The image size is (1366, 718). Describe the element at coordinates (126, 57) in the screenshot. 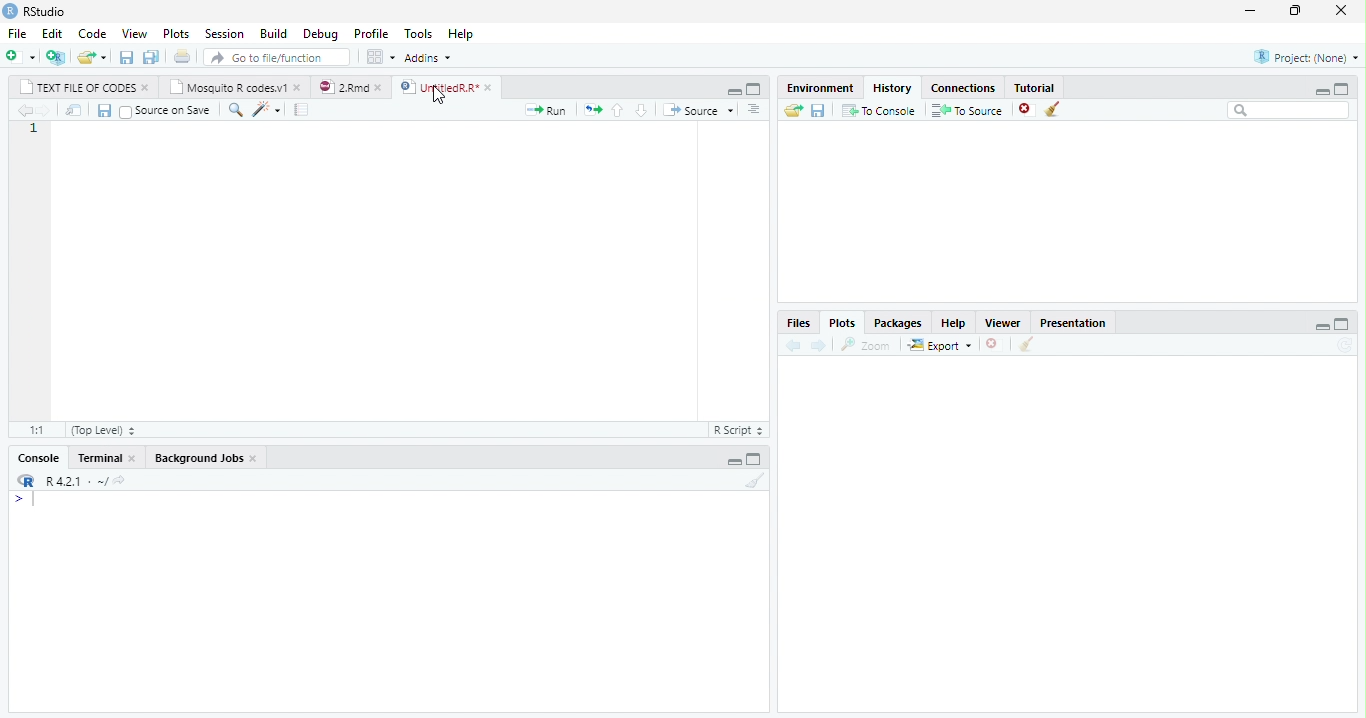

I see `save current document` at that location.